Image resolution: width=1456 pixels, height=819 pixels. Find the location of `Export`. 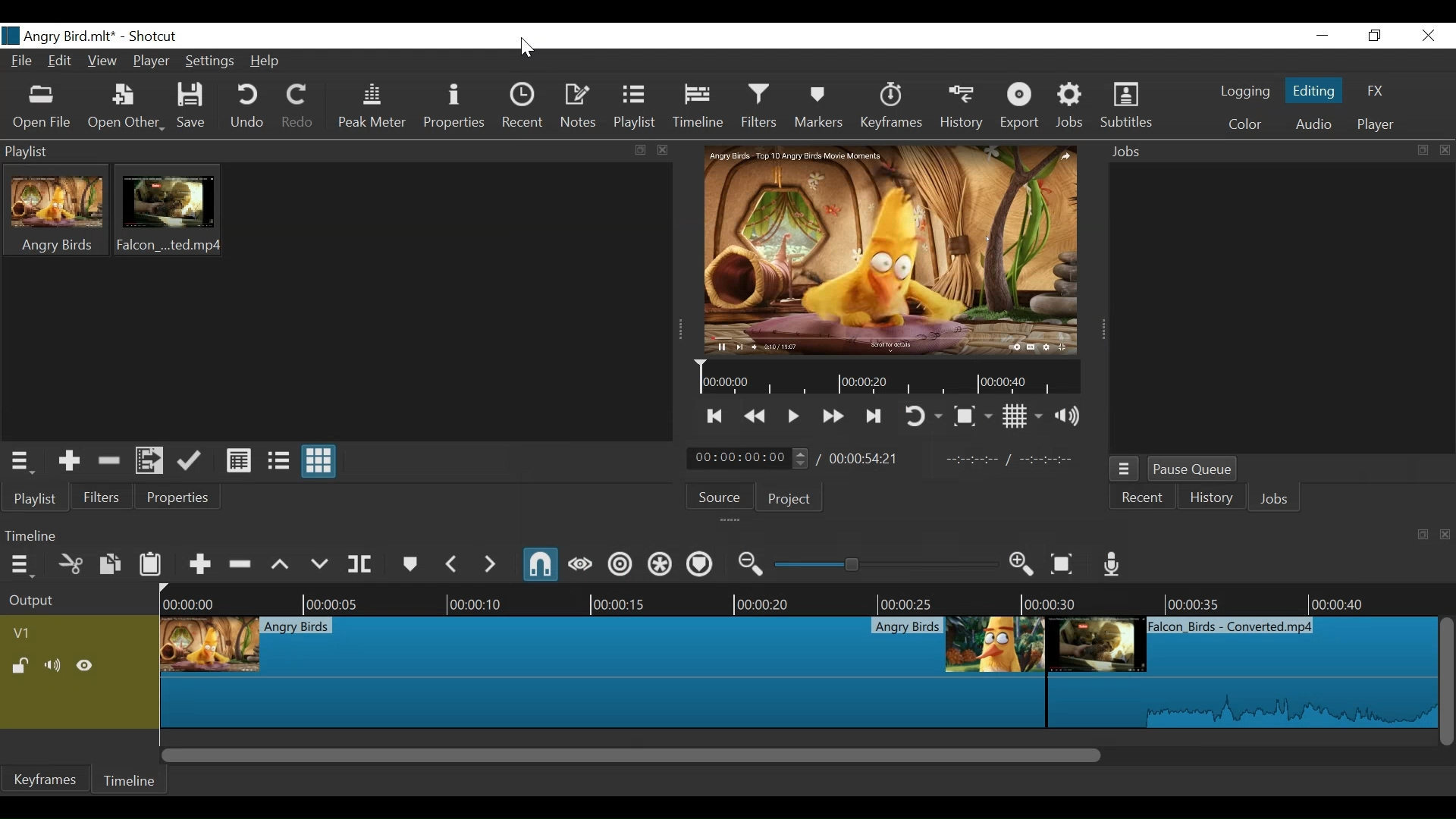

Export is located at coordinates (1020, 106).